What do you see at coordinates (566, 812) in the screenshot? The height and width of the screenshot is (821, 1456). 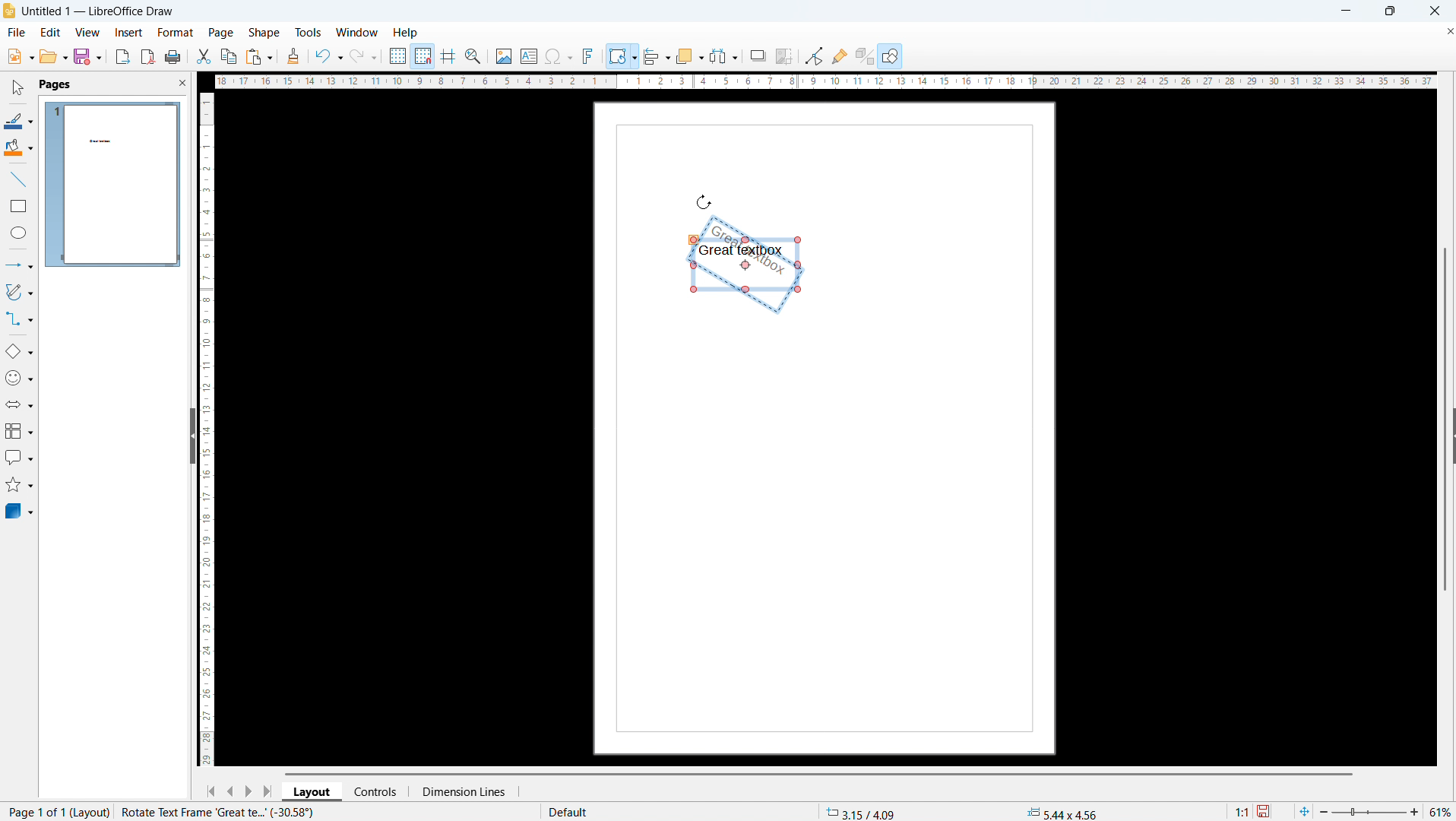 I see `default page style` at bounding box center [566, 812].